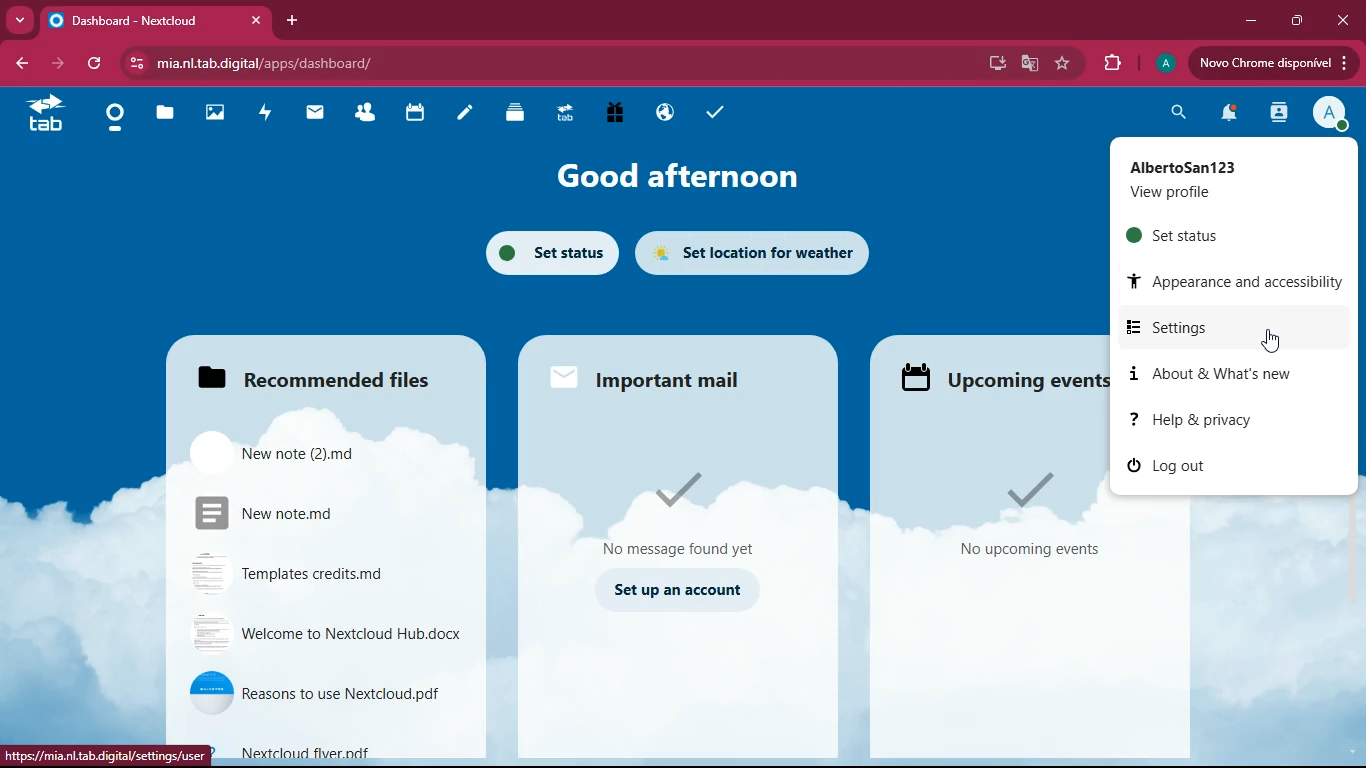  I want to click on extensions, so click(1110, 64).